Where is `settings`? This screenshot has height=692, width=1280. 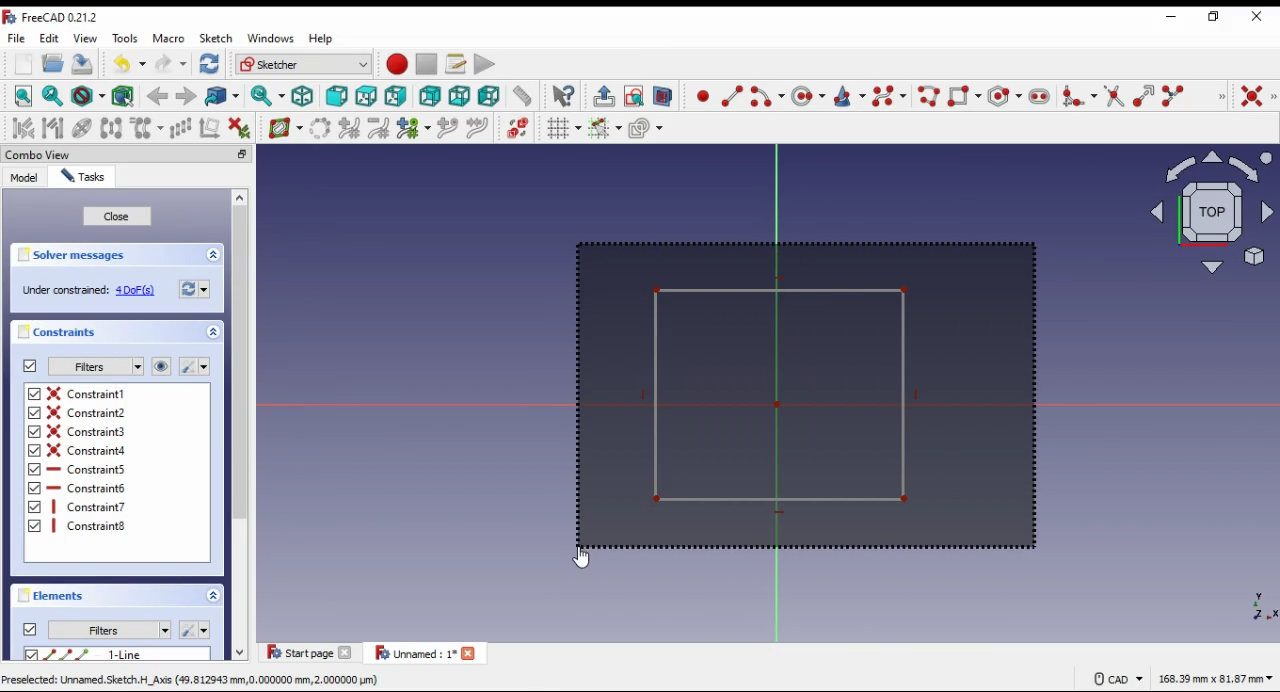
settings is located at coordinates (194, 366).